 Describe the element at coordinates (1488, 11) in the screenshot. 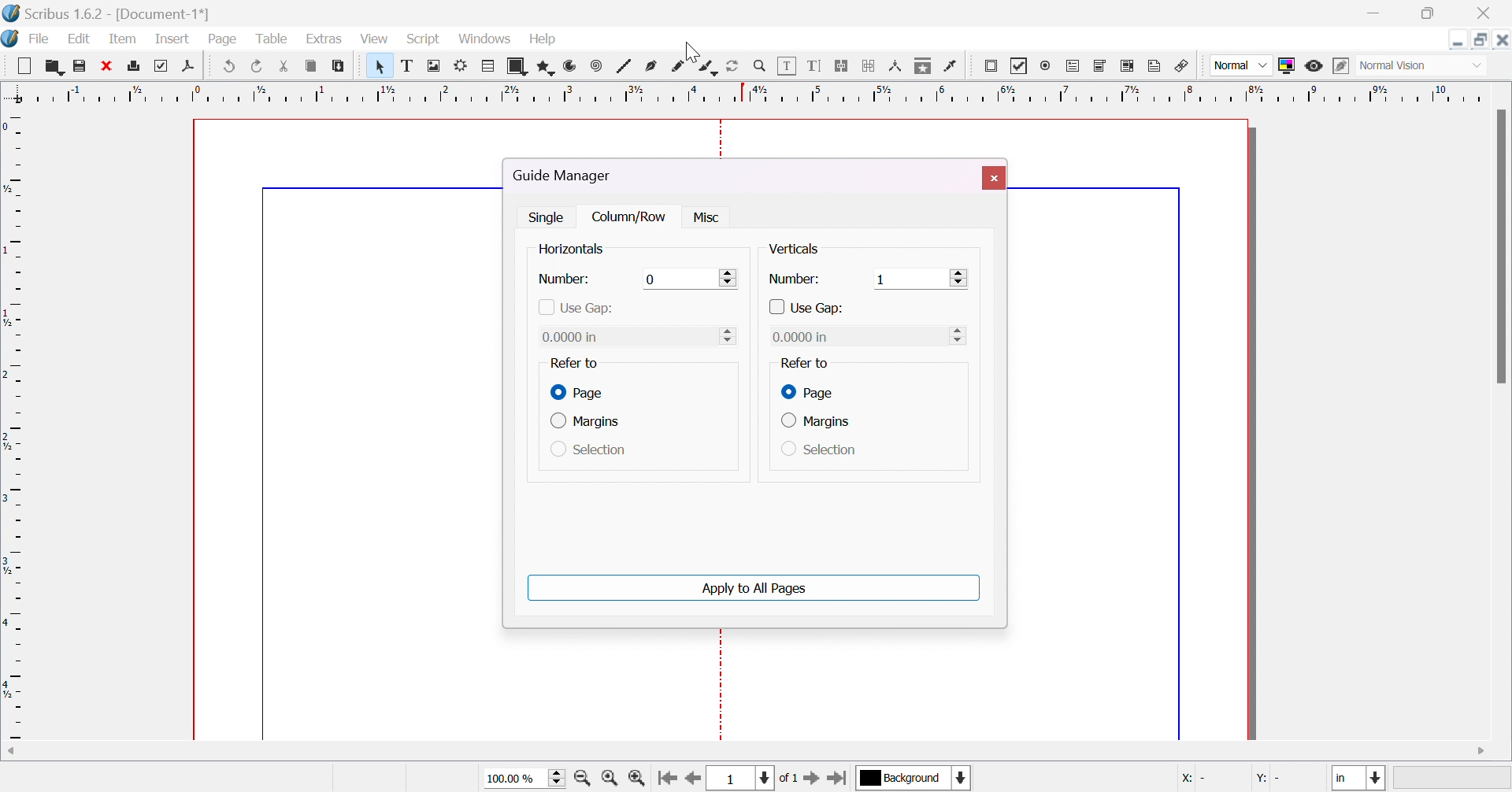

I see `close` at that location.